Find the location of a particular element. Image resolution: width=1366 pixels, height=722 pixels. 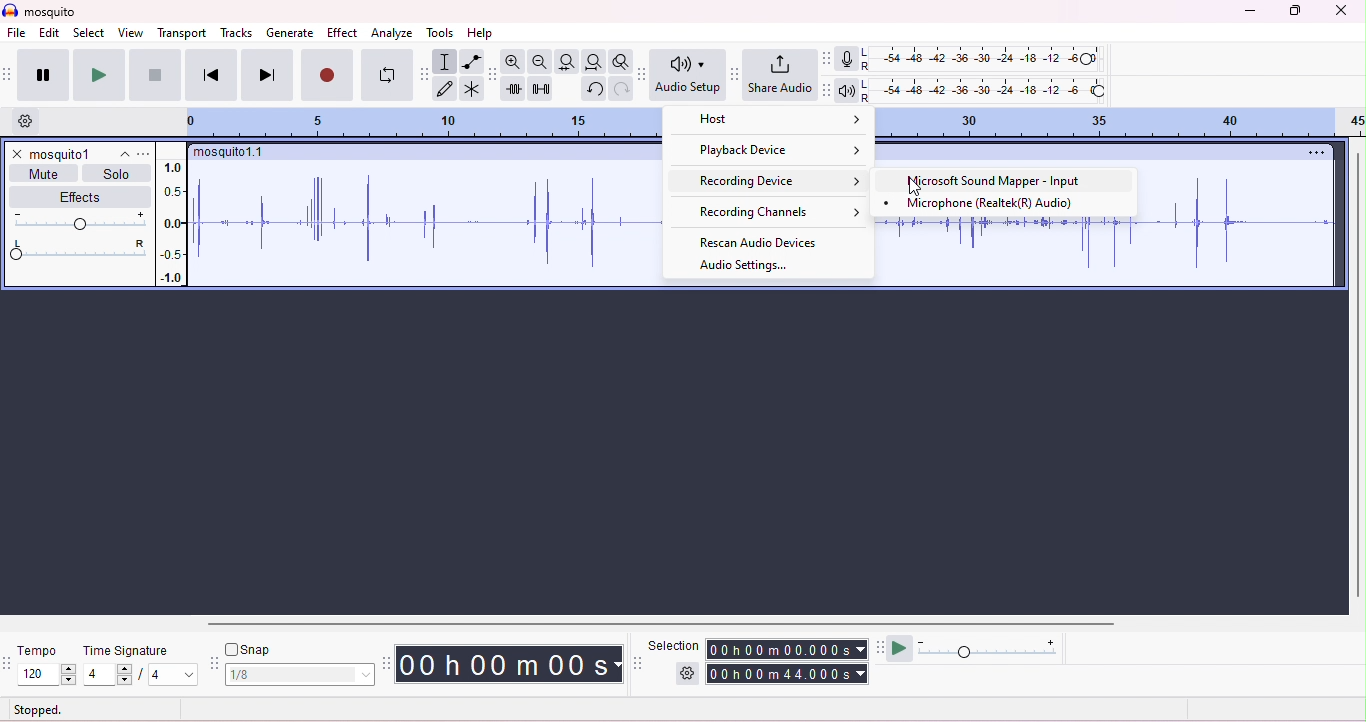

play at speed tool bar is located at coordinates (883, 646).